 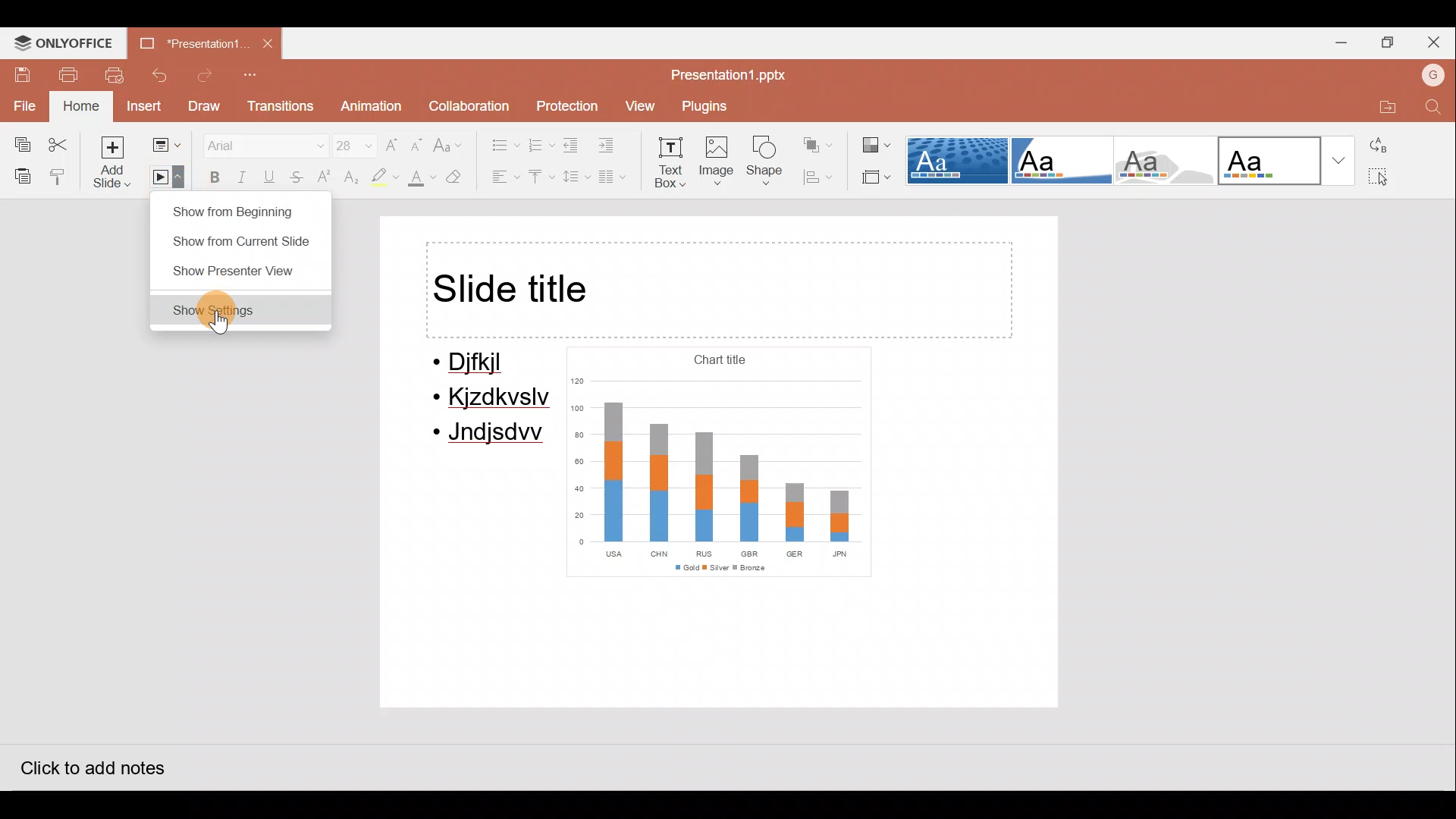 What do you see at coordinates (1386, 39) in the screenshot?
I see `Maximize` at bounding box center [1386, 39].